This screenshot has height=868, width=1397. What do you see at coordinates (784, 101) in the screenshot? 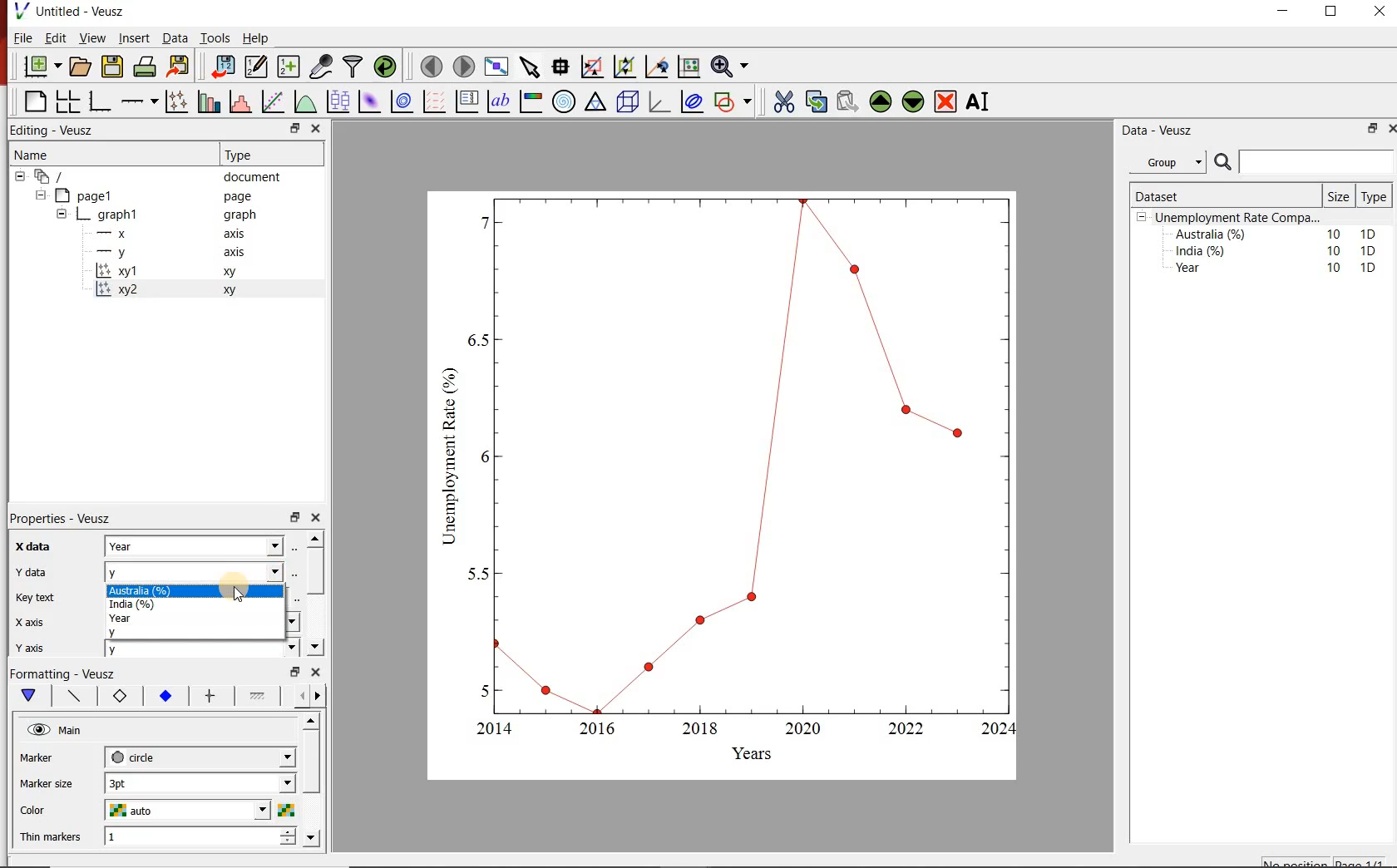
I see `cut the widgets` at bounding box center [784, 101].